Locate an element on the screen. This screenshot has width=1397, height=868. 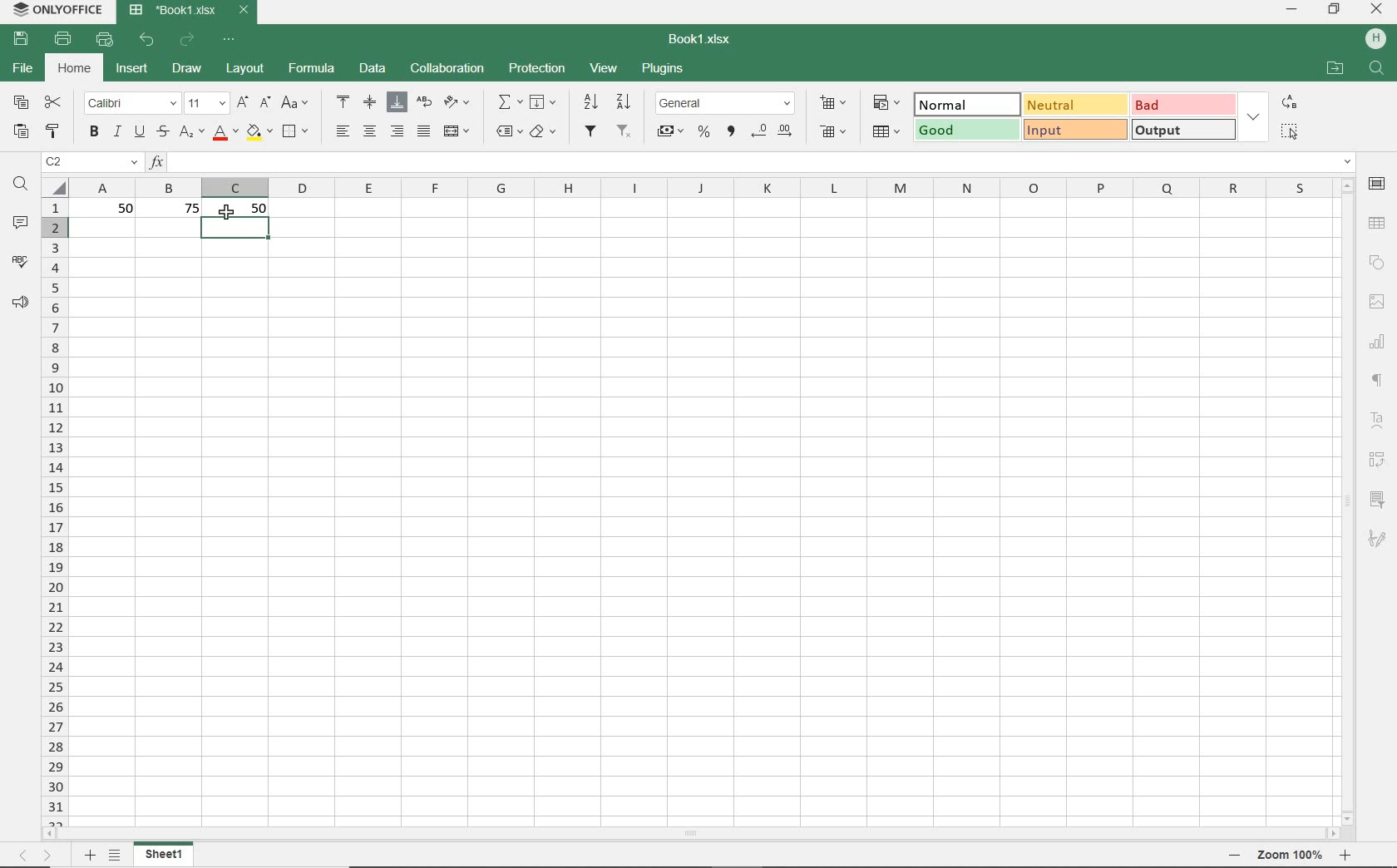
find is located at coordinates (20, 186).